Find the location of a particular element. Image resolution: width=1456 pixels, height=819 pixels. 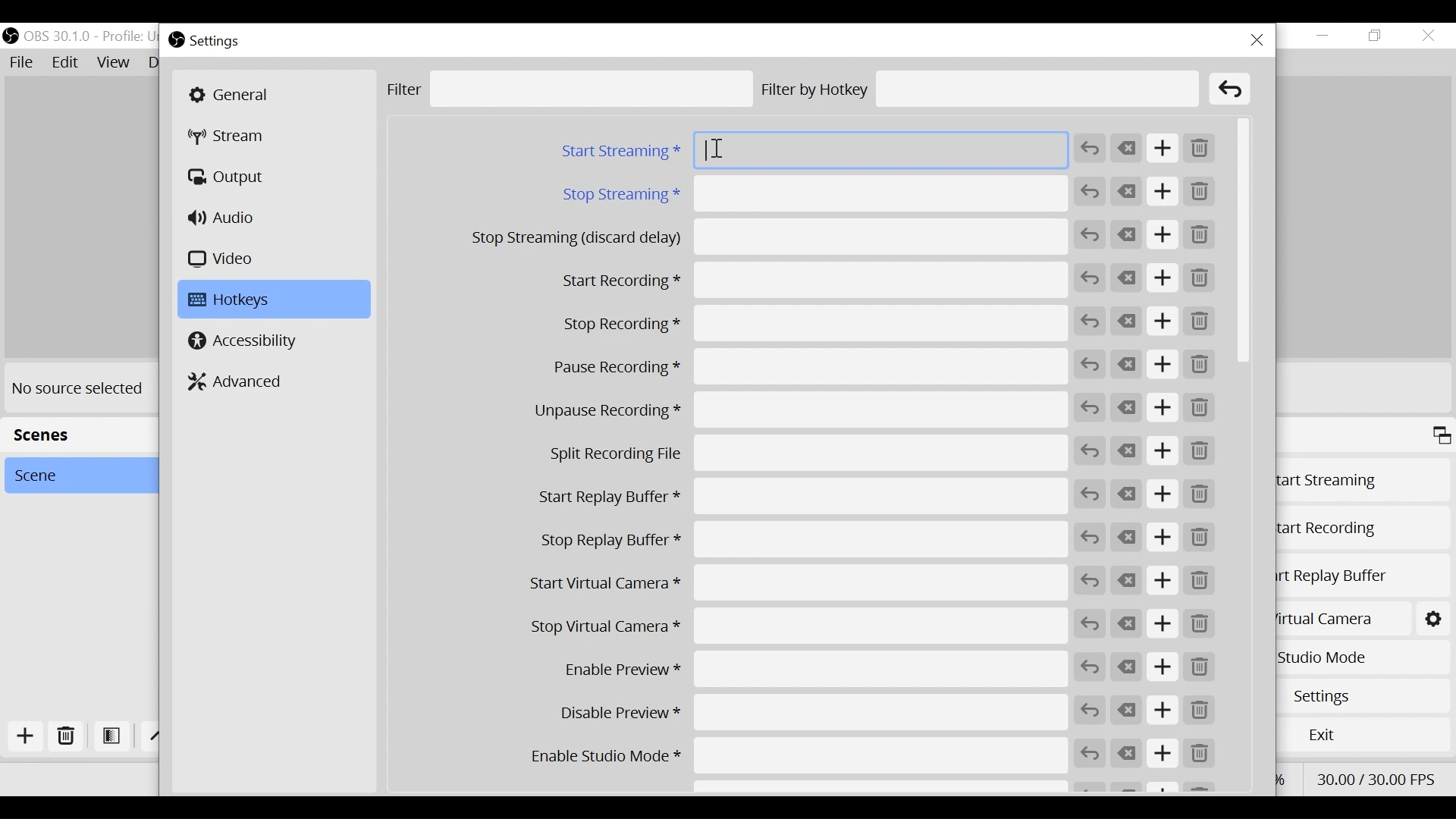

OBS Studio Desktop icon is located at coordinates (177, 39).